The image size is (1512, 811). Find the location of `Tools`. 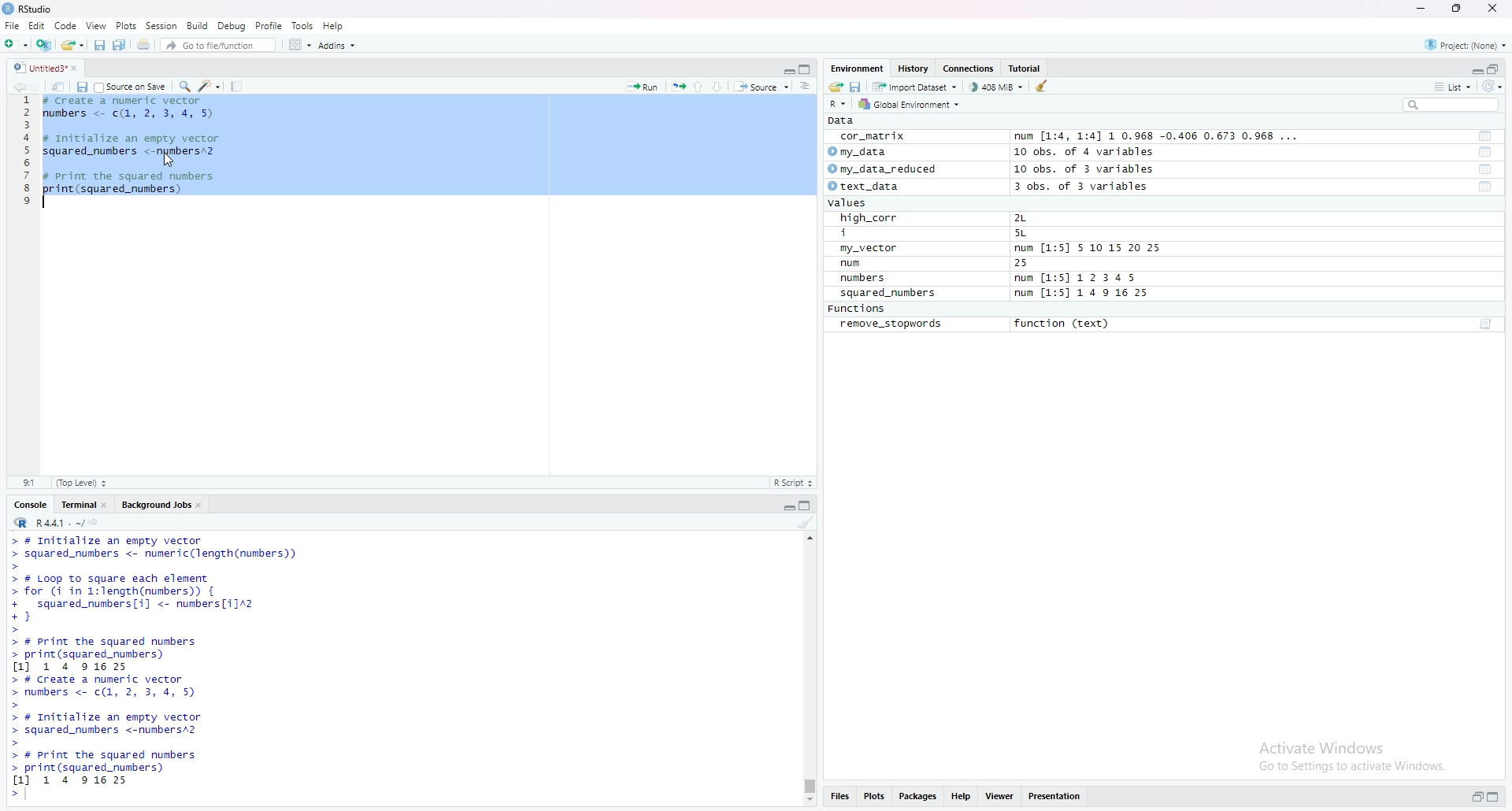

Tools is located at coordinates (303, 25).